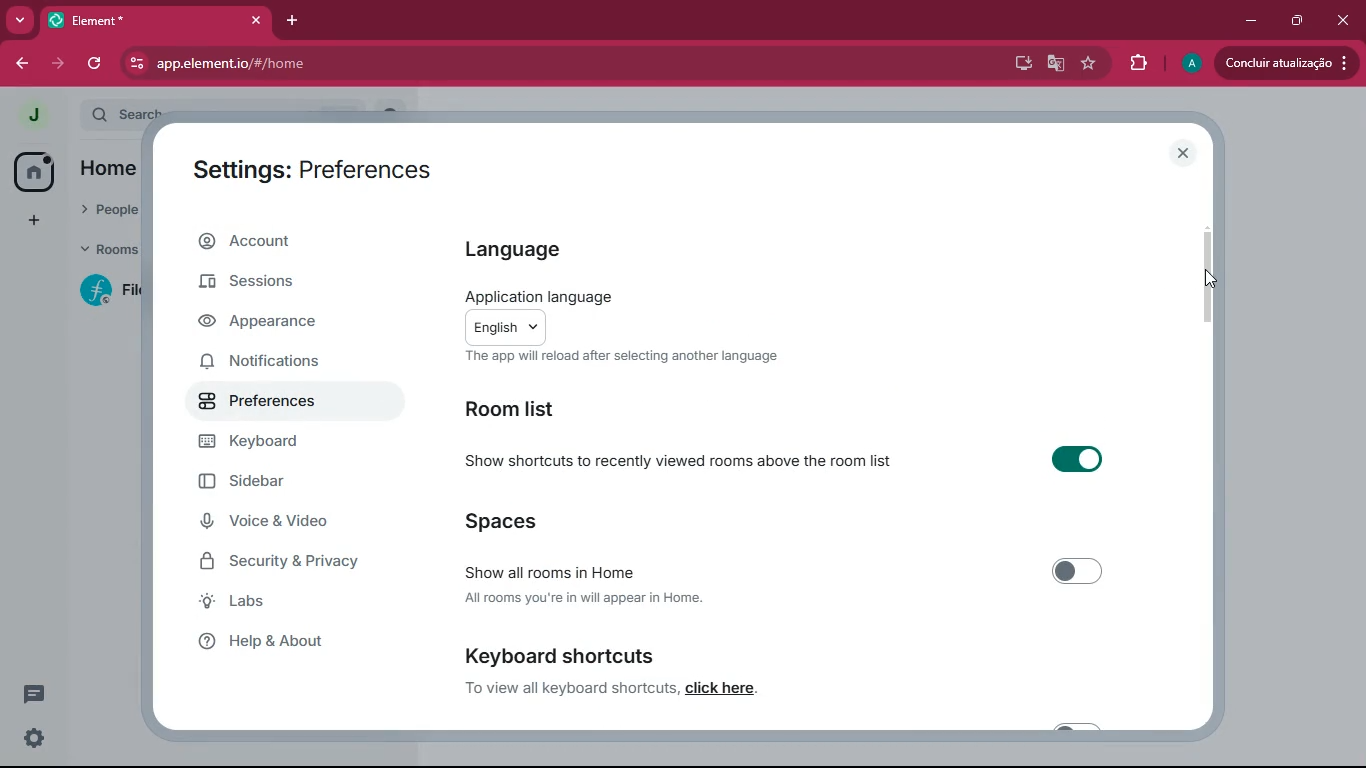 Image resolution: width=1366 pixels, height=768 pixels. Describe the element at coordinates (537, 411) in the screenshot. I see `room list ` at that location.